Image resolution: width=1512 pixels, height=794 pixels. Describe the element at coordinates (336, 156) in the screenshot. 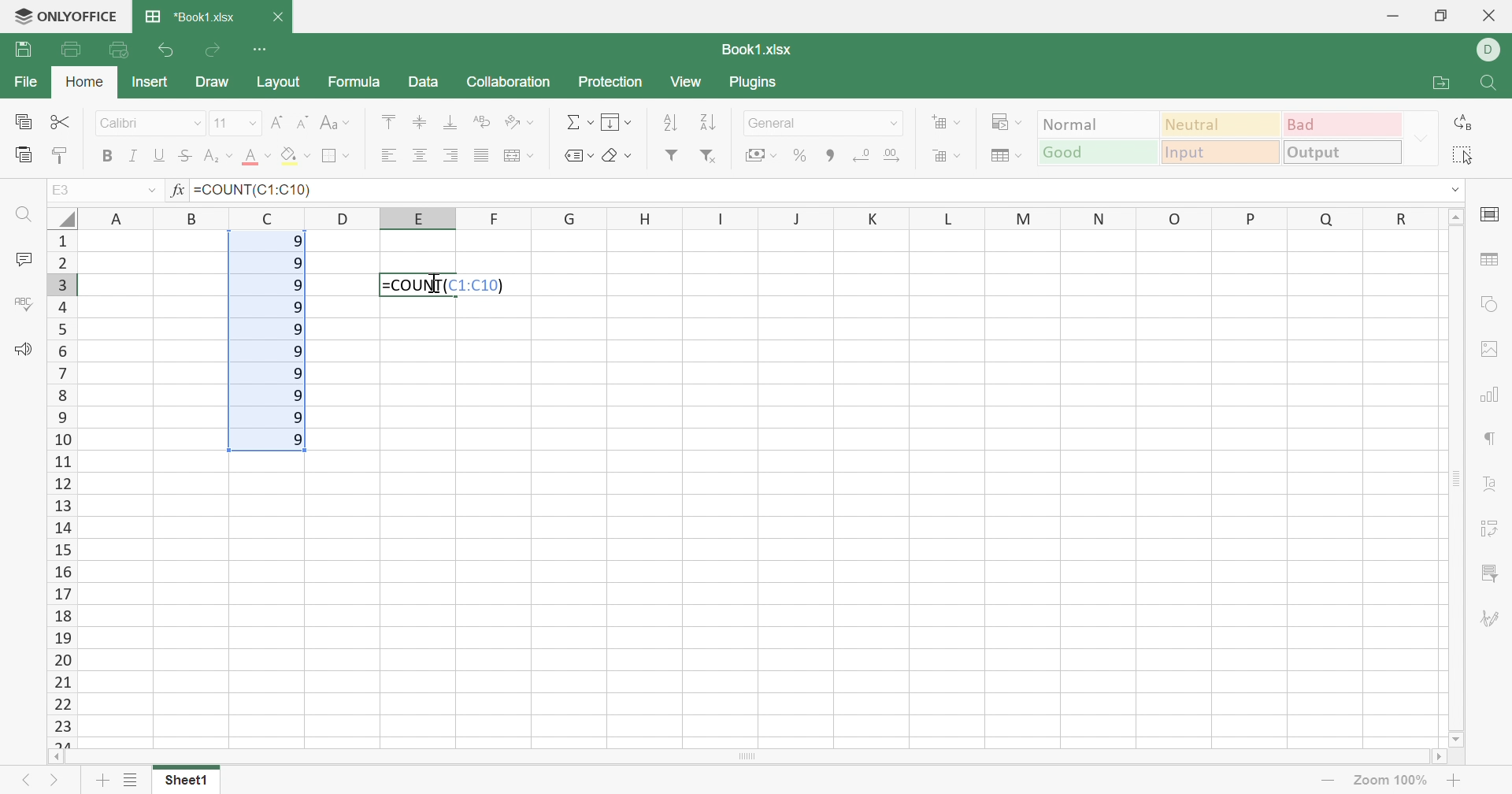

I see `Borders` at that location.